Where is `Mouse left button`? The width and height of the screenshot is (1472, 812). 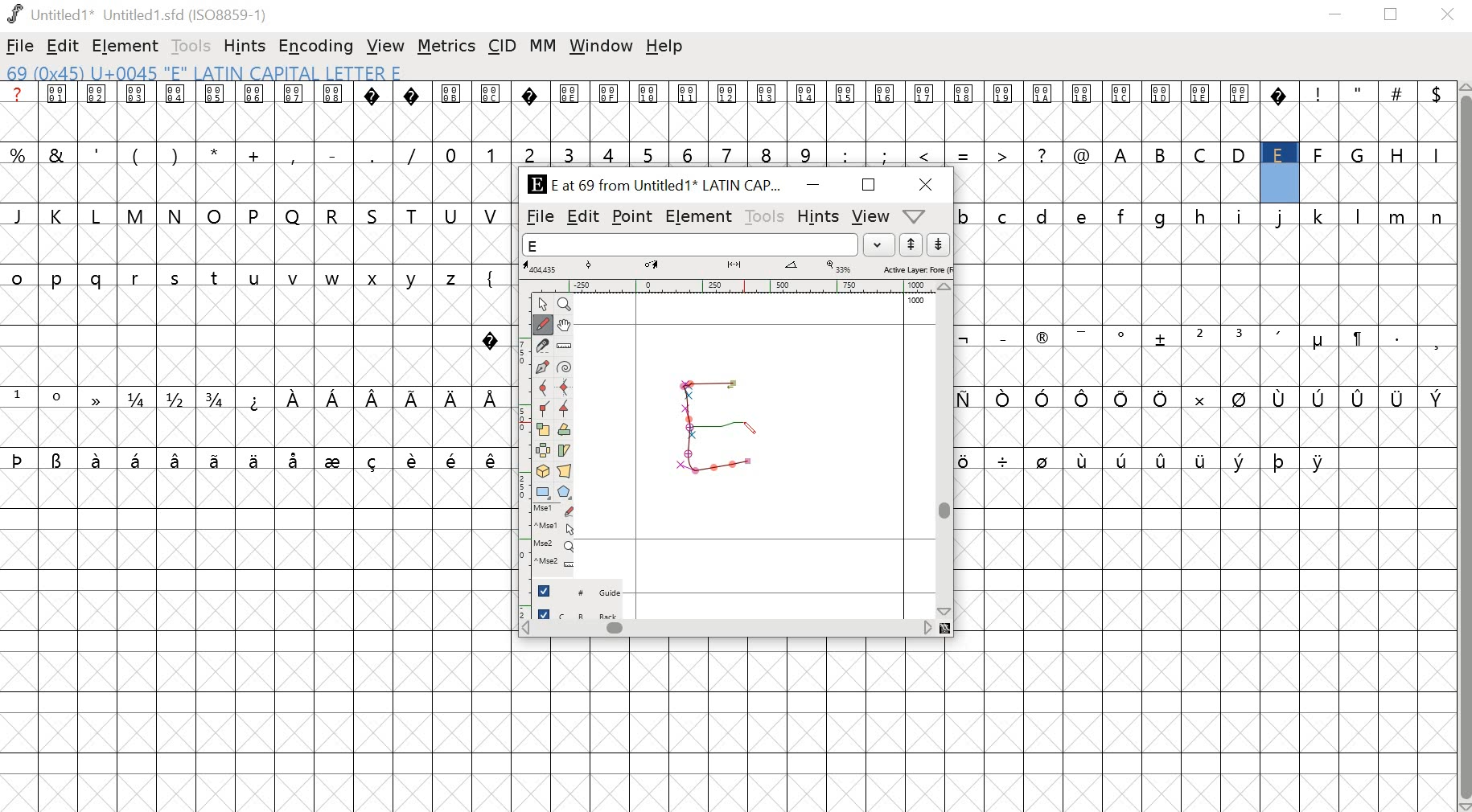 Mouse left button is located at coordinates (553, 511).